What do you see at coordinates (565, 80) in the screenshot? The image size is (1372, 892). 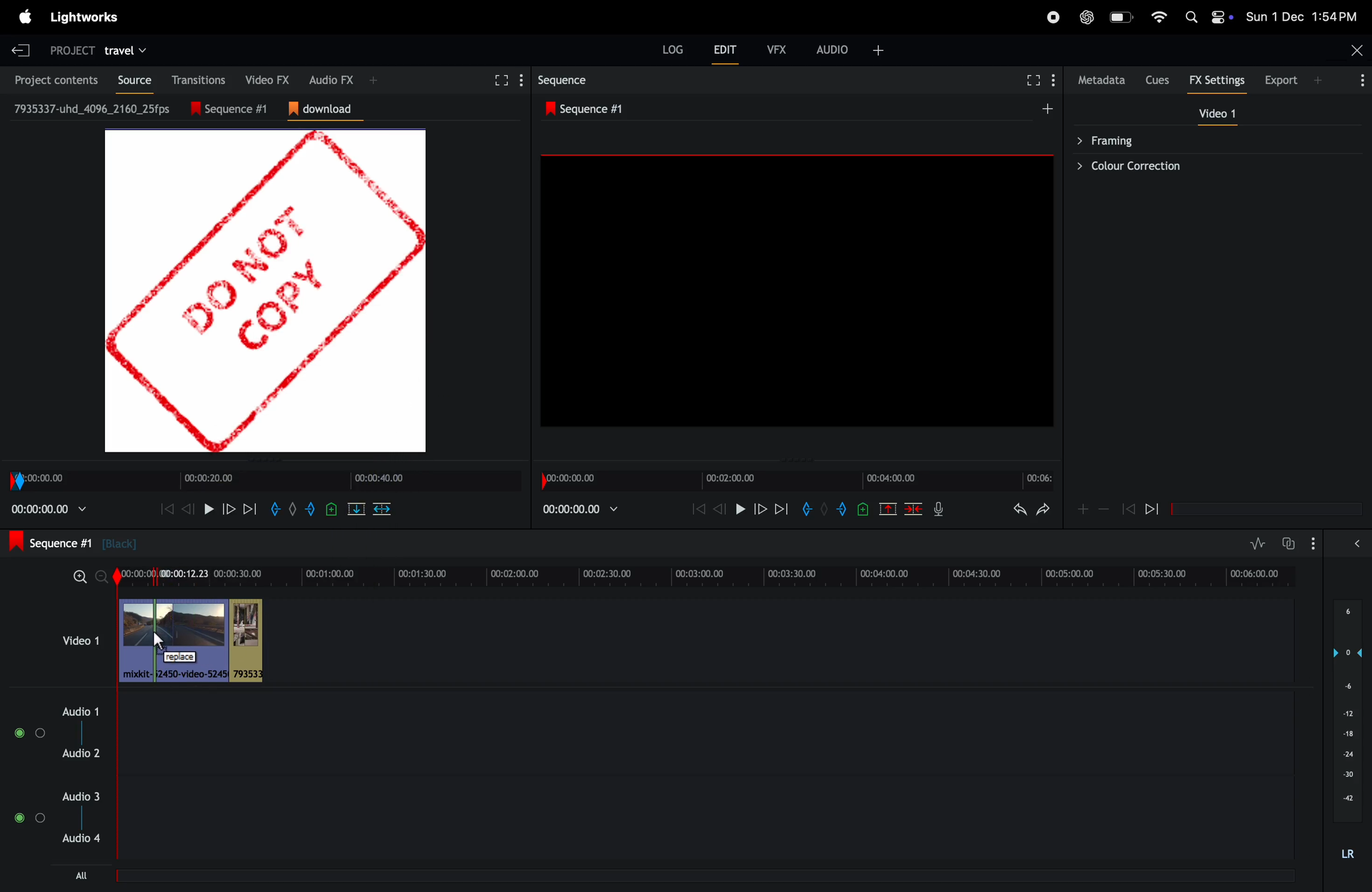 I see `sequence` at bounding box center [565, 80].